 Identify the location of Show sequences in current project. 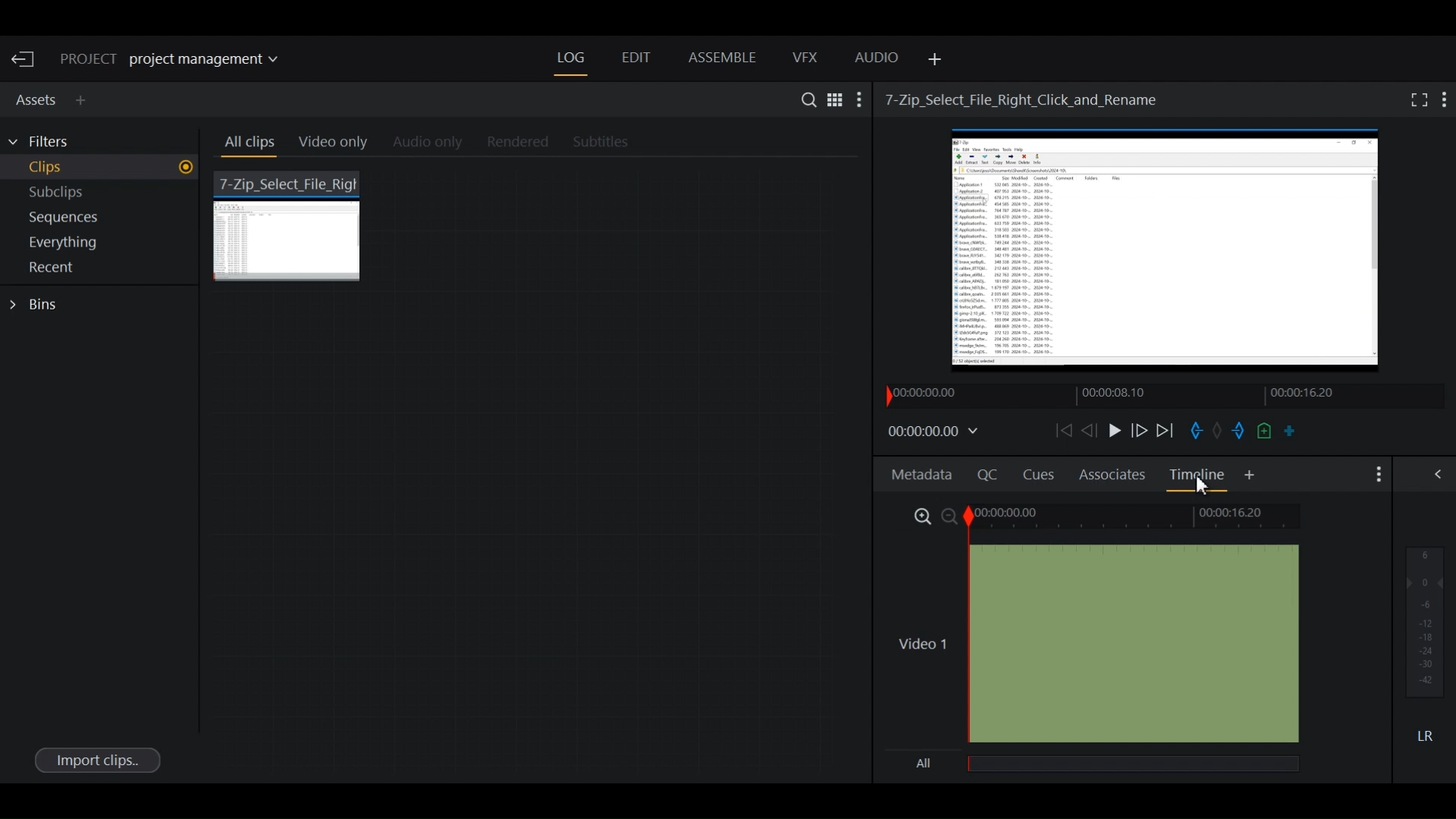
(103, 219).